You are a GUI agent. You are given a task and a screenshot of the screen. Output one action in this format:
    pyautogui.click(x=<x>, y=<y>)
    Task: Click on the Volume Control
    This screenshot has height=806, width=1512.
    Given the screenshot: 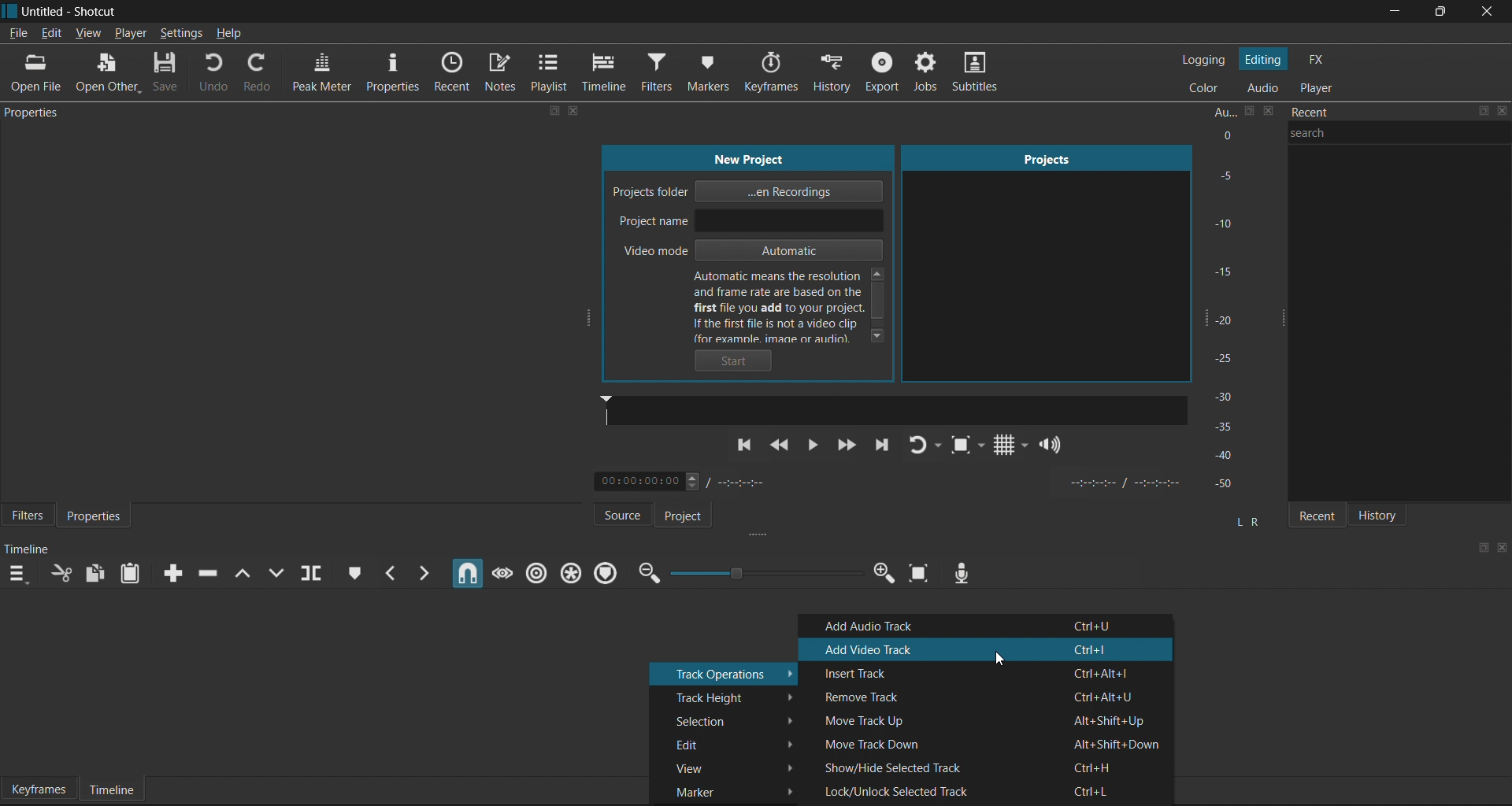 What is the action you would take?
    pyautogui.click(x=1053, y=446)
    